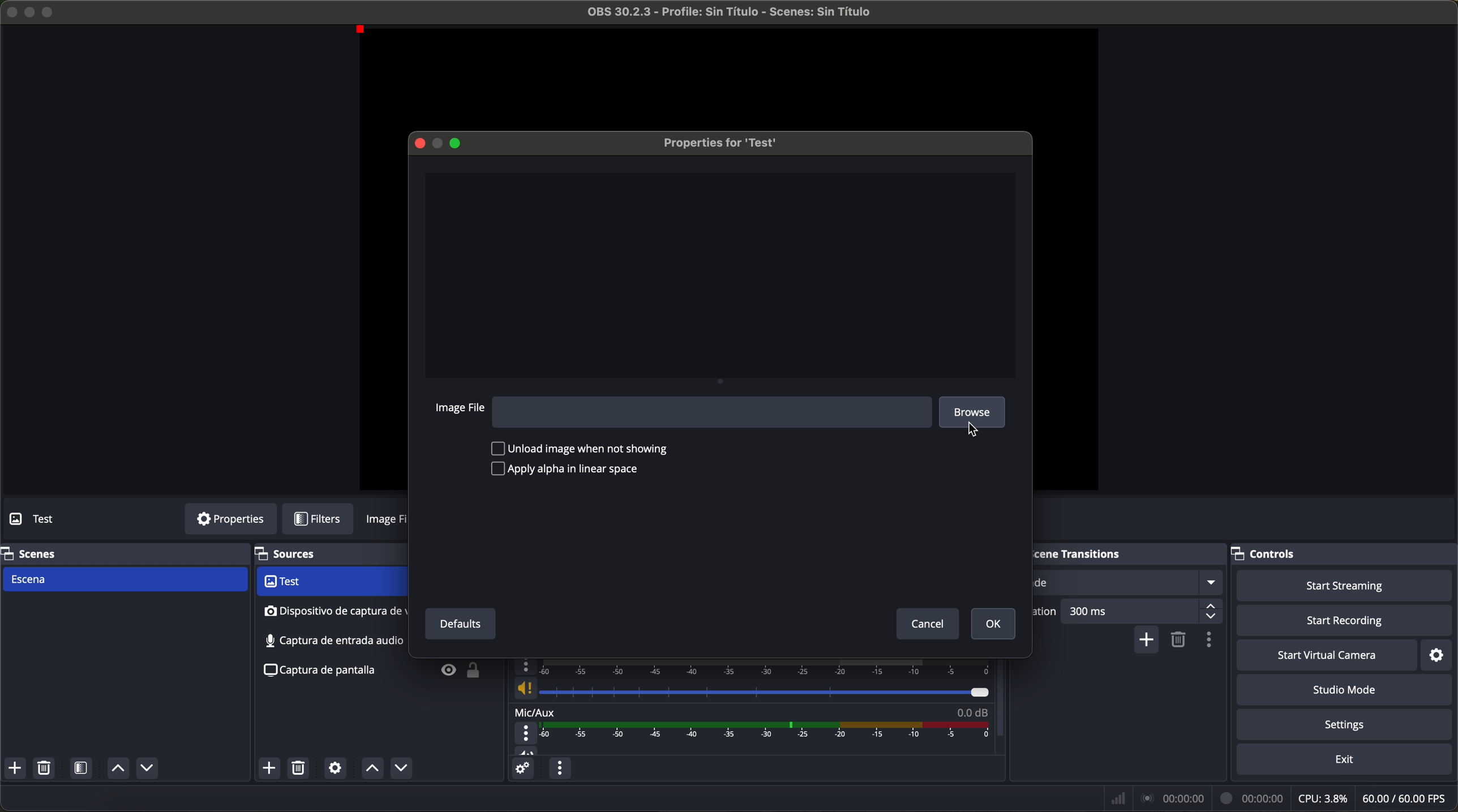 The width and height of the screenshot is (1458, 812). Describe the element at coordinates (976, 415) in the screenshot. I see `click on browse` at that location.